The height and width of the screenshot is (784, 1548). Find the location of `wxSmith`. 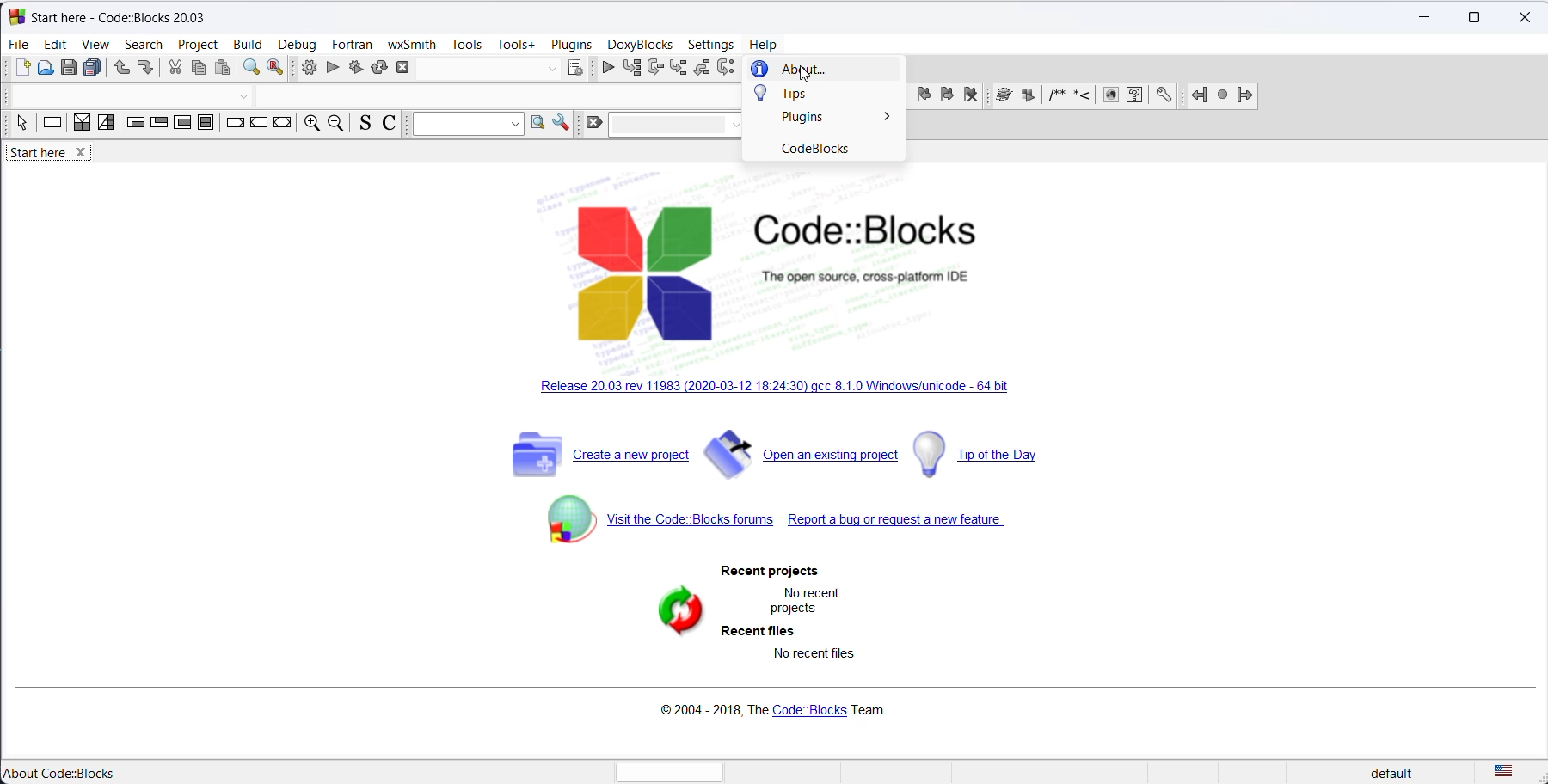

wxSmith is located at coordinates (409, 44).